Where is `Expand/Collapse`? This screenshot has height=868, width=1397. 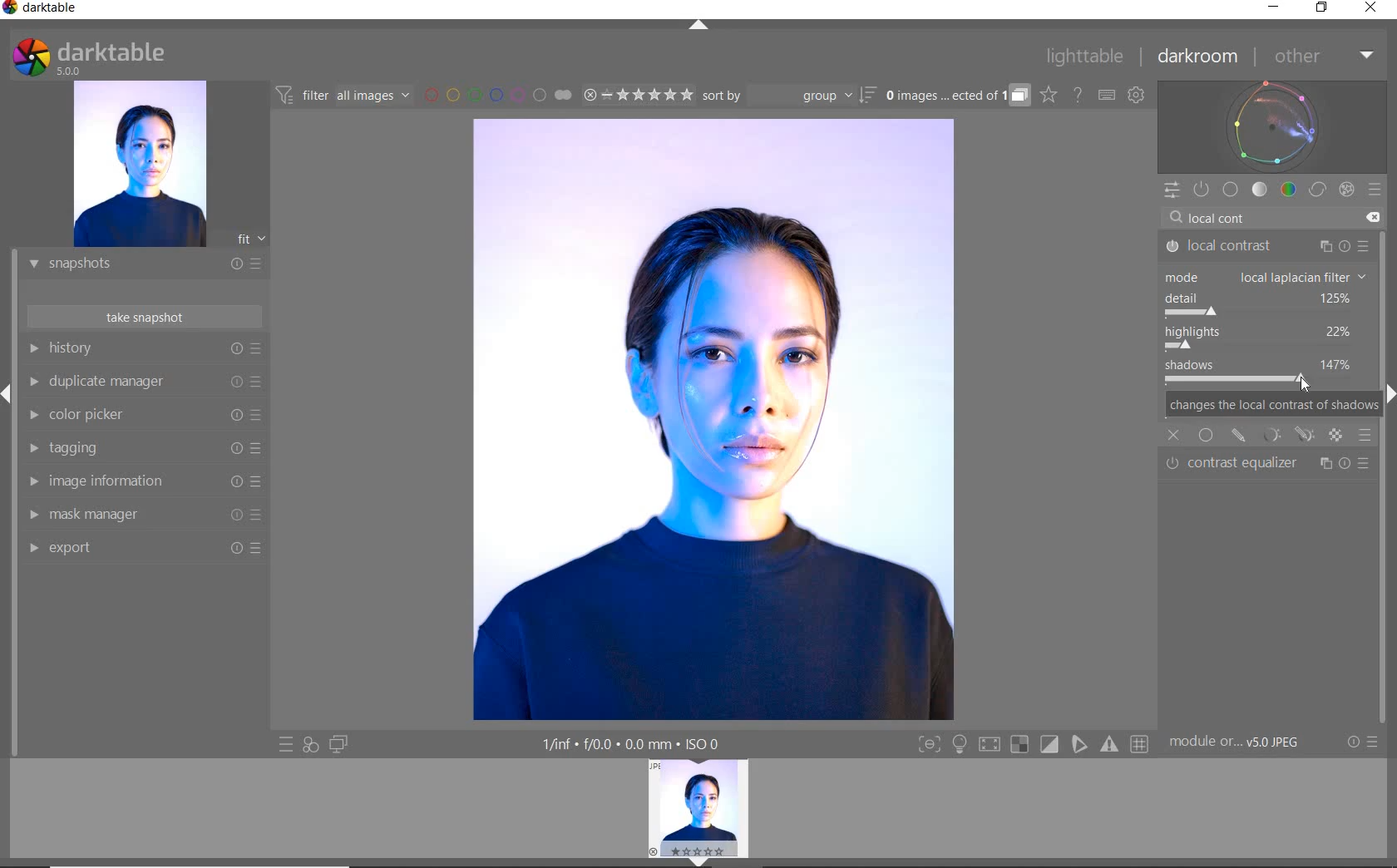
Expand/Collapse is located at coordinates (8, 394).